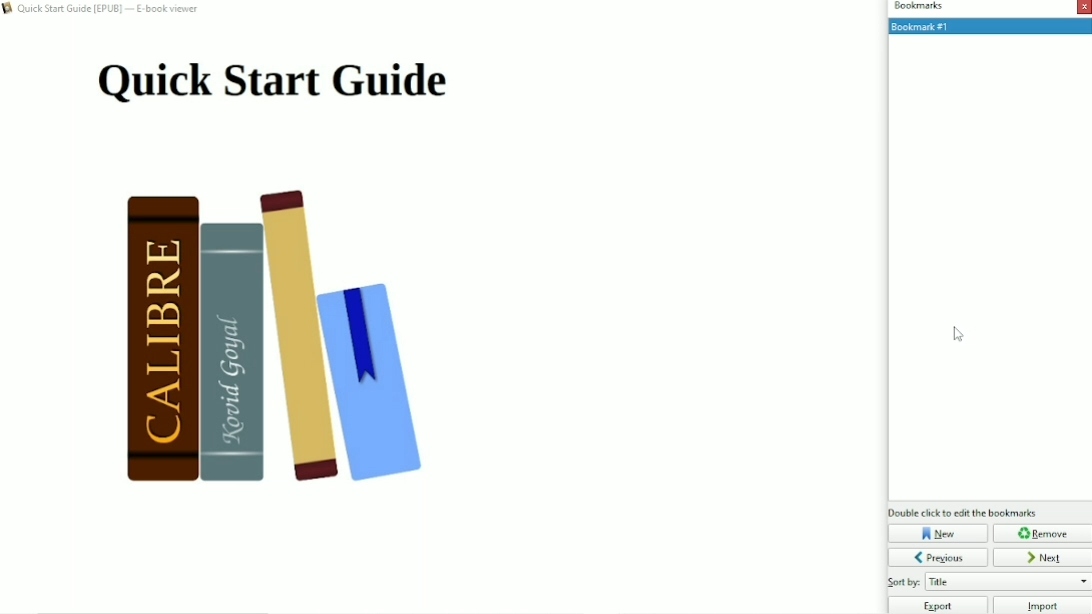 This screenshot has height=614, width=1092. I want to click on Double click to edit the bookmarks, so click(963, 512).